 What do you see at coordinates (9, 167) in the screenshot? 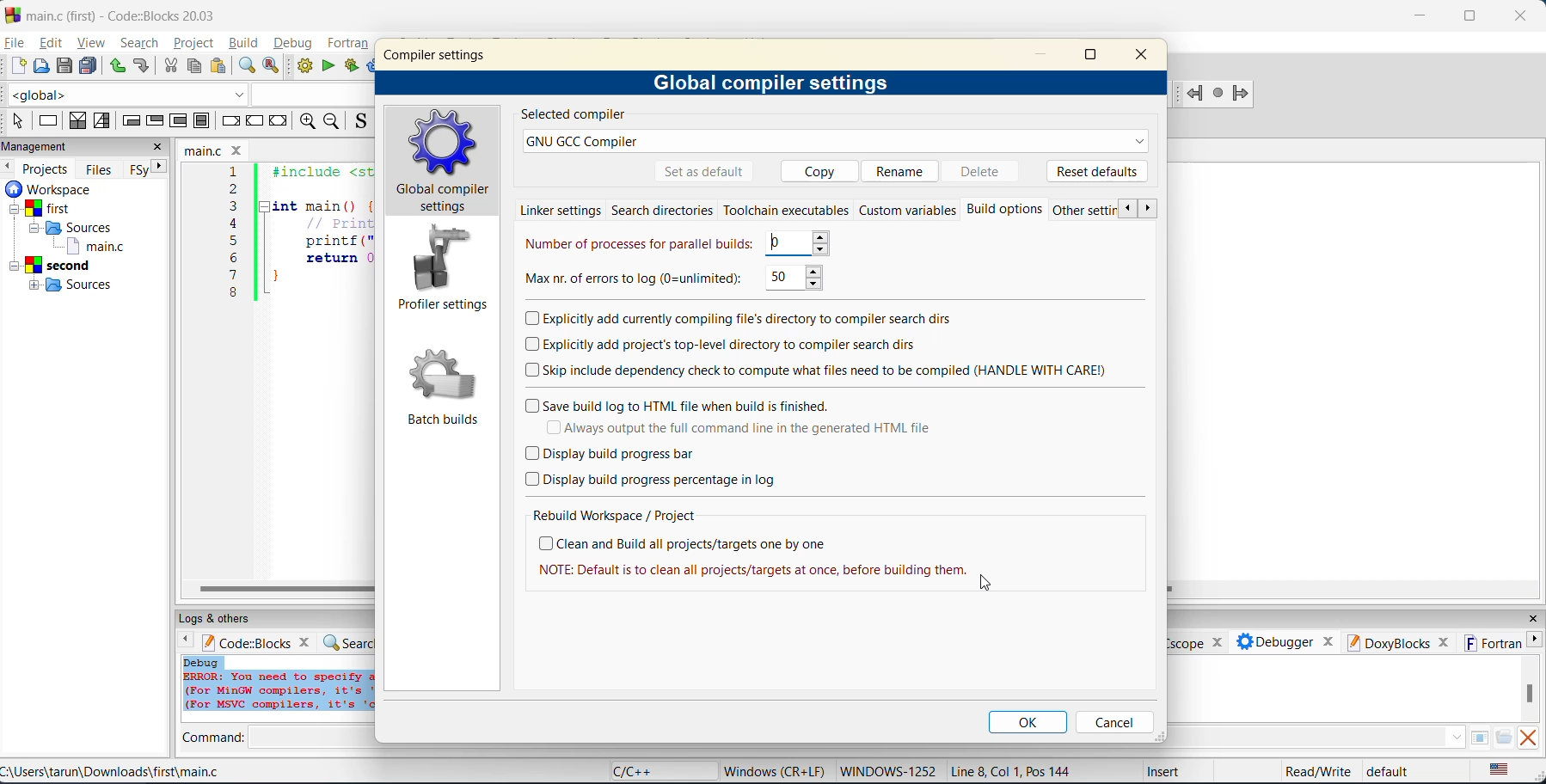
I see `previous` at bounding box center [9, 167].